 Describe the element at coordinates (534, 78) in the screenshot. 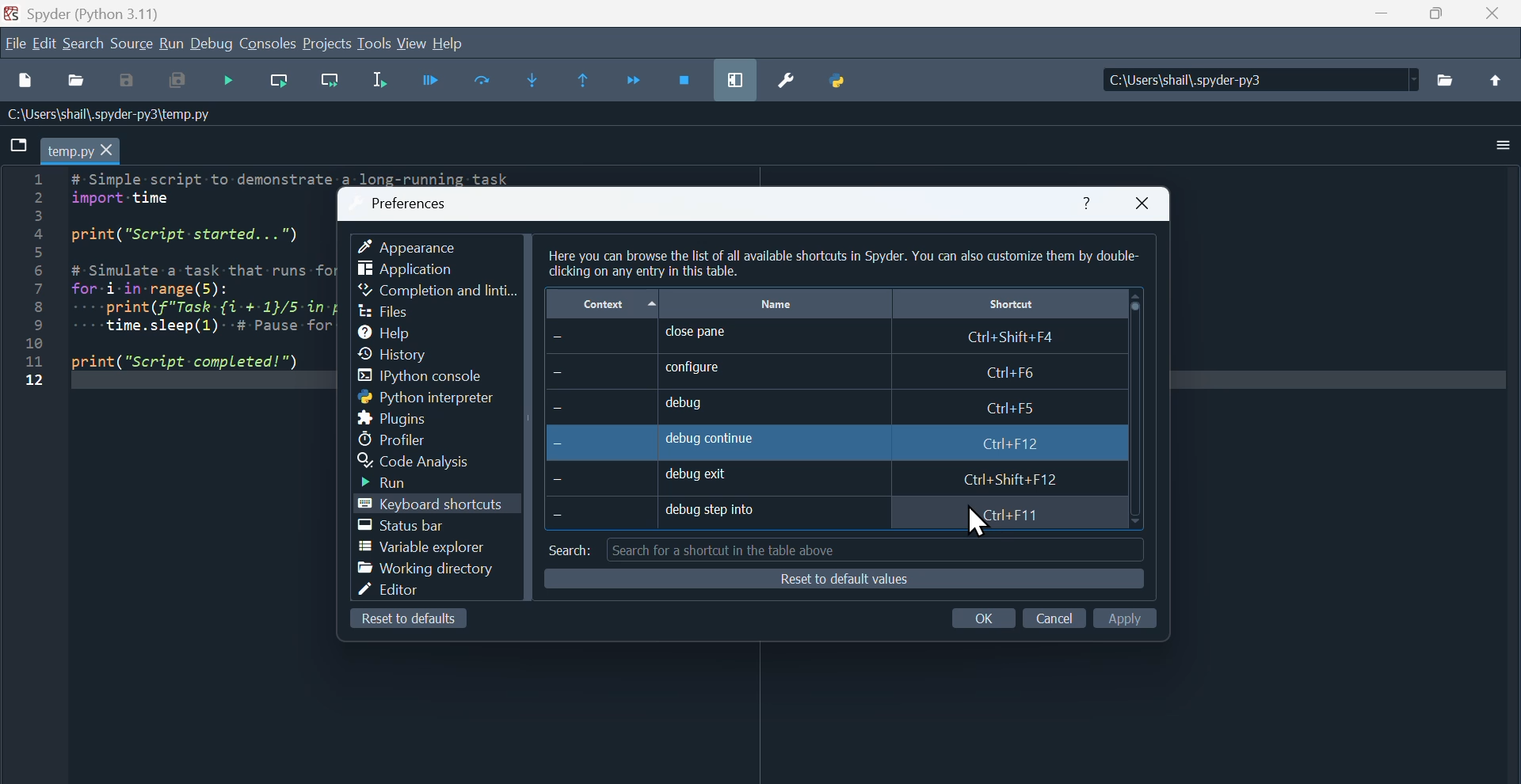

I see `Step into function` at that location.